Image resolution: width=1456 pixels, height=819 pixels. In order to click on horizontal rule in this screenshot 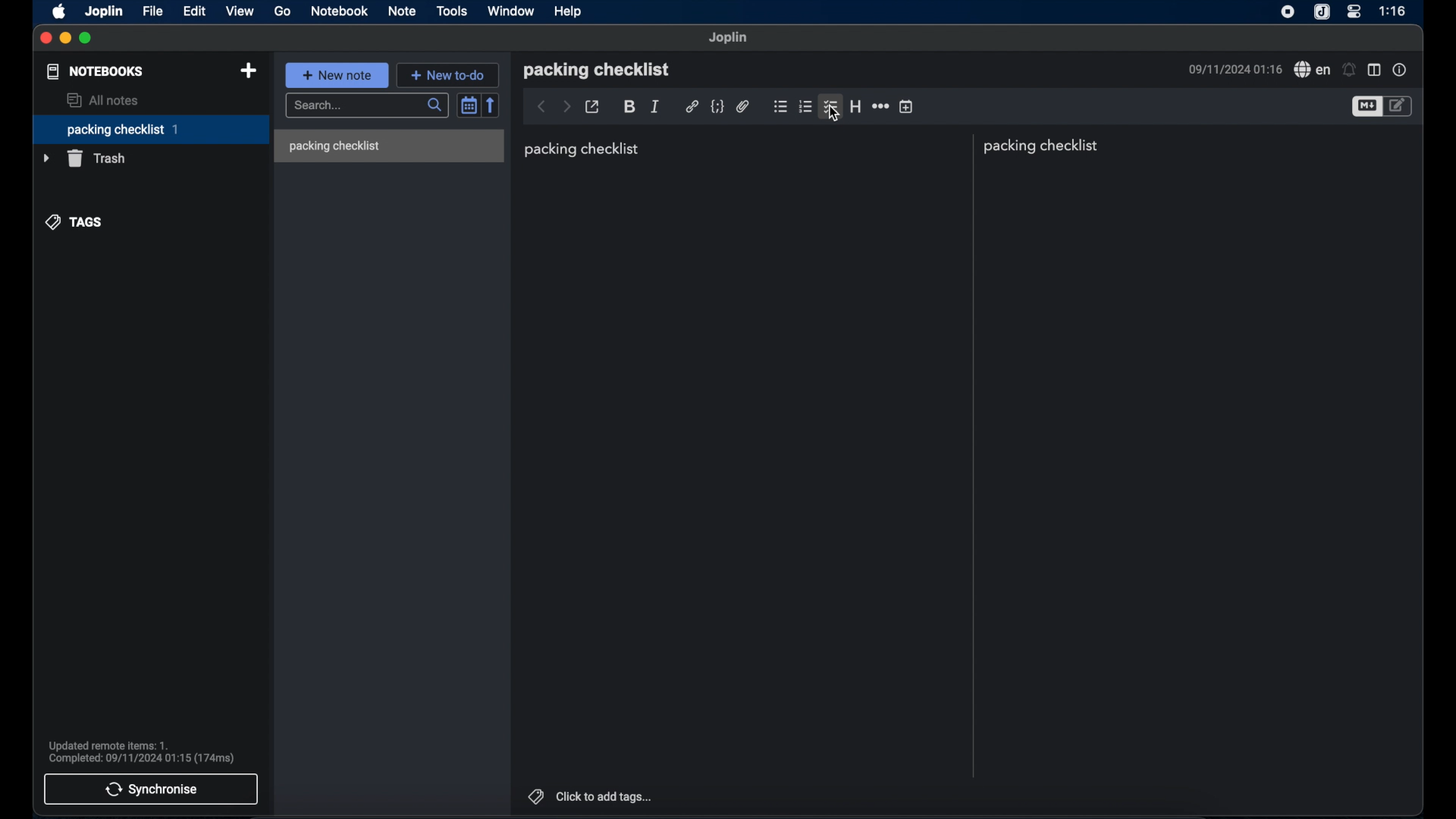, I will do `click(880, 107)`.